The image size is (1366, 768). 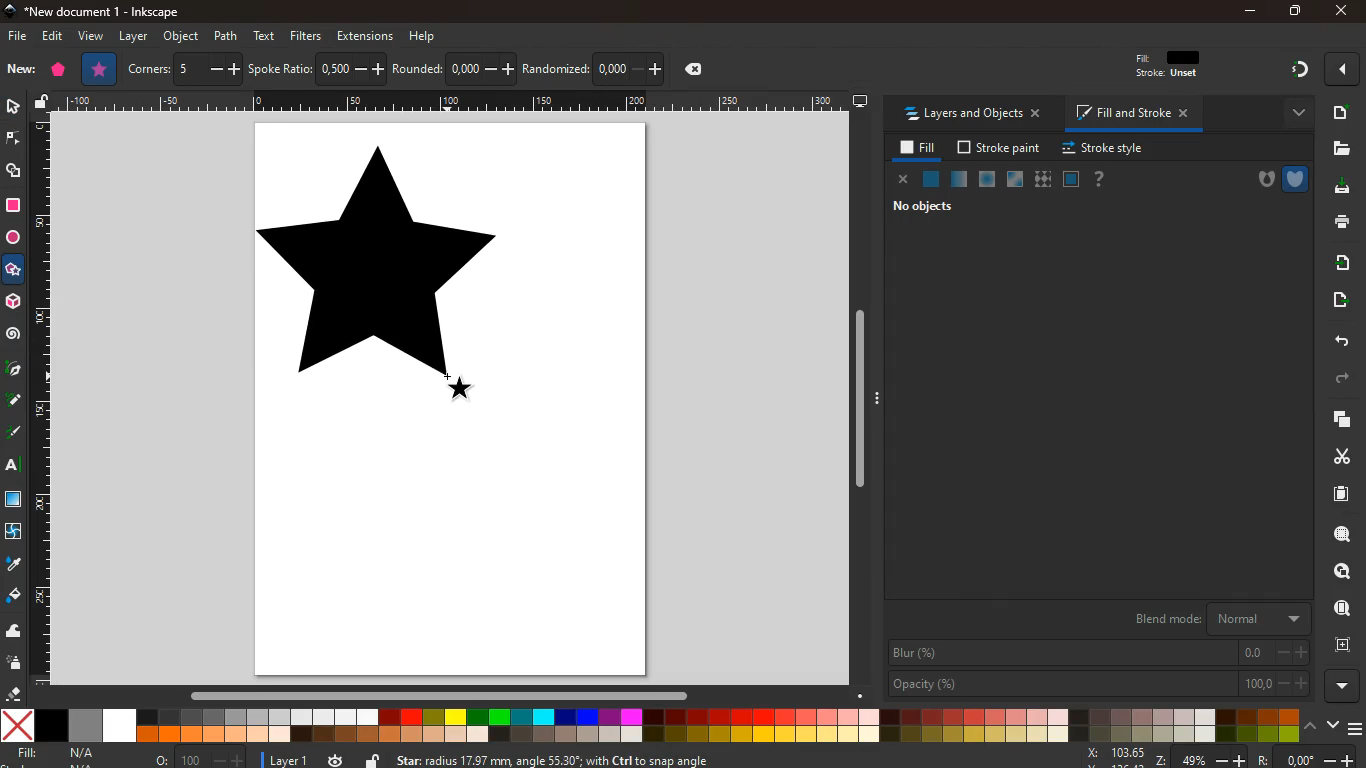 I want to click on forward, so click(x=1334, y=380).